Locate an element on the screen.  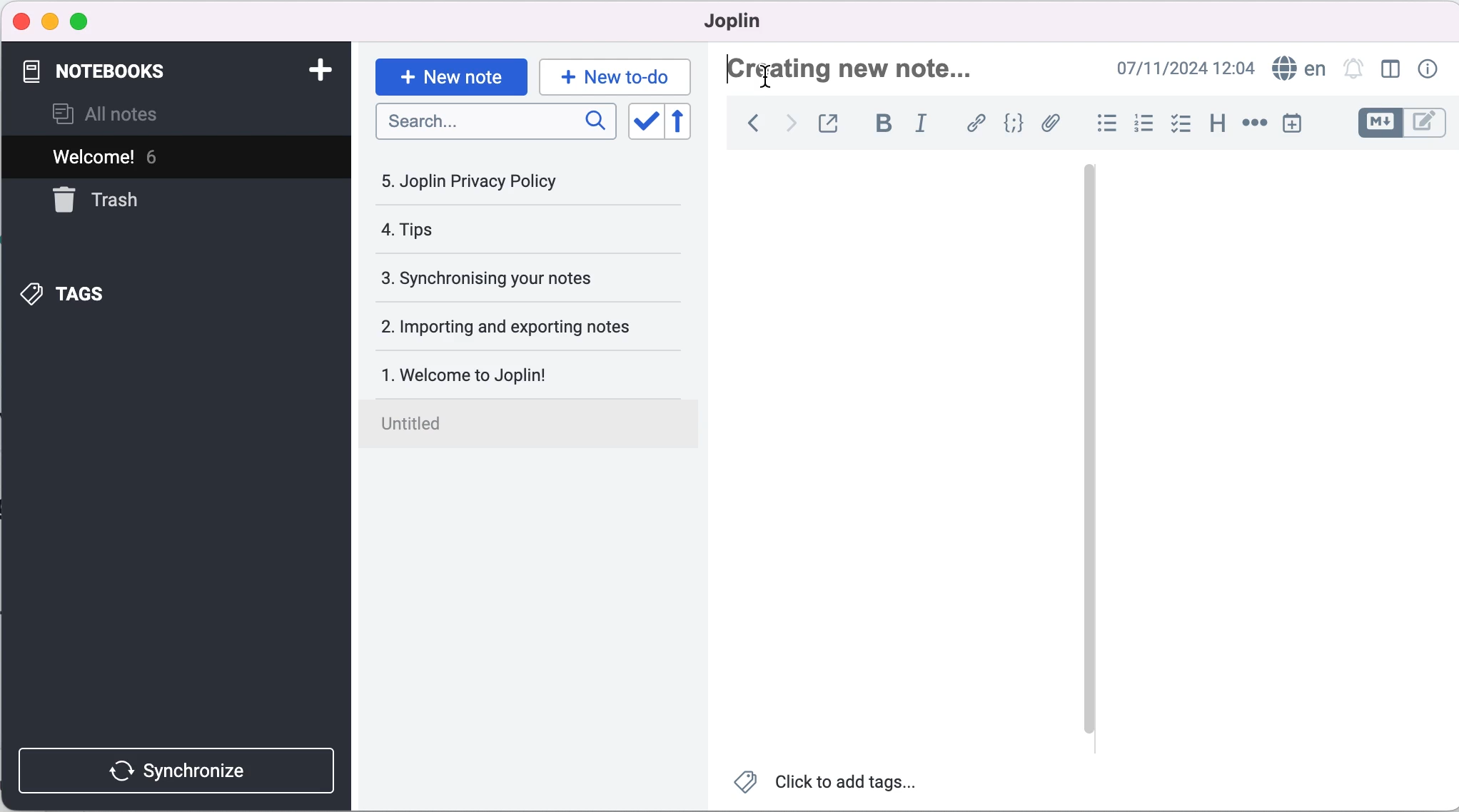
back is located at coordinates (749, 123).